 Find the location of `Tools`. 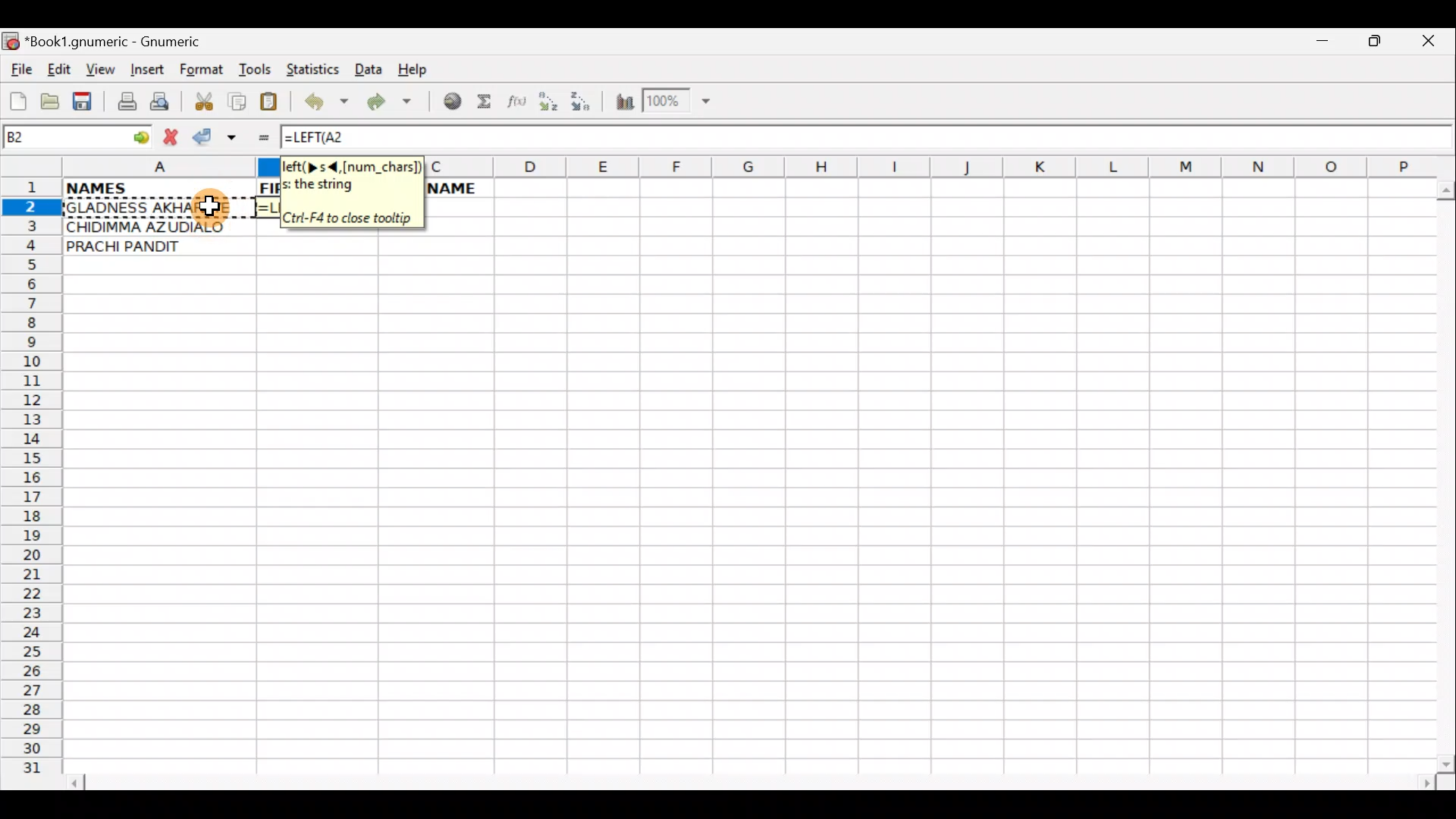

Tools is located at coordinates (256, 70).